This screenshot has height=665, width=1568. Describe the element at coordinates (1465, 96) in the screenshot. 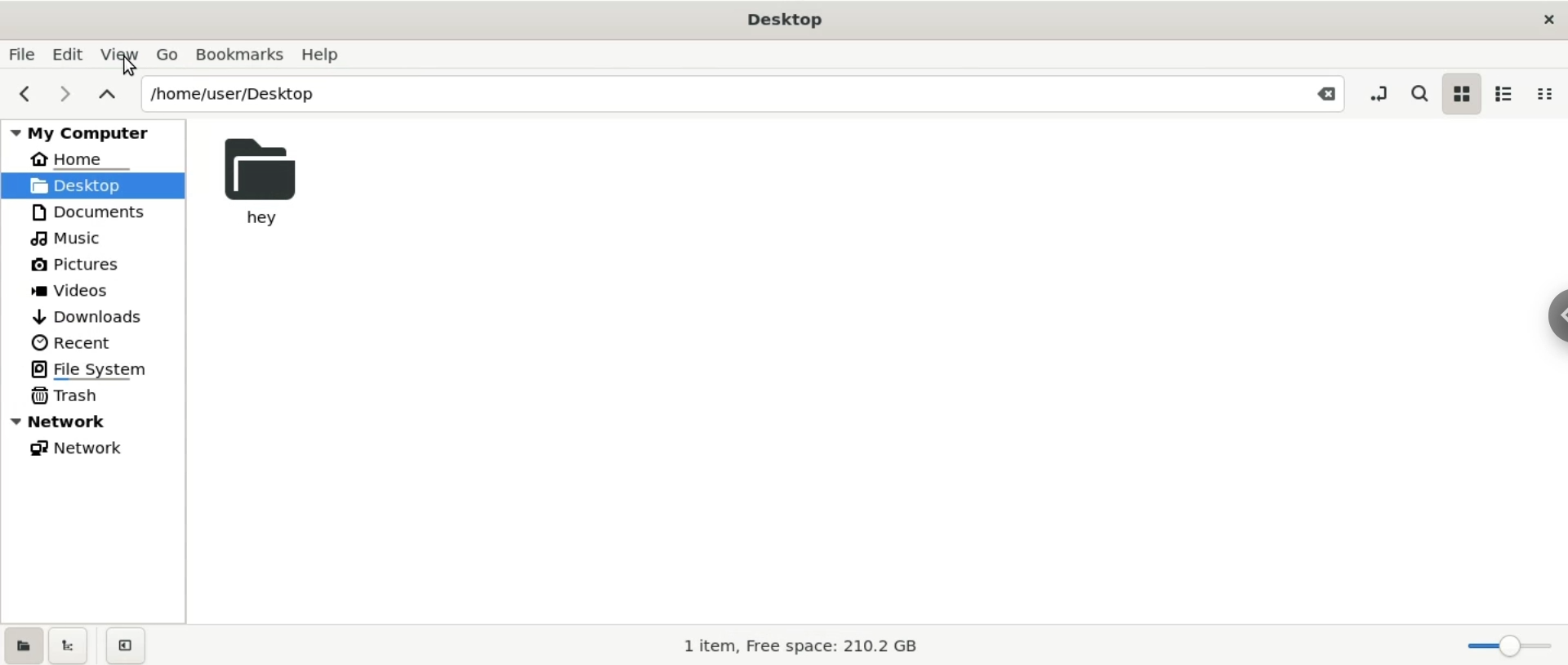

I see `icon view` at that location.